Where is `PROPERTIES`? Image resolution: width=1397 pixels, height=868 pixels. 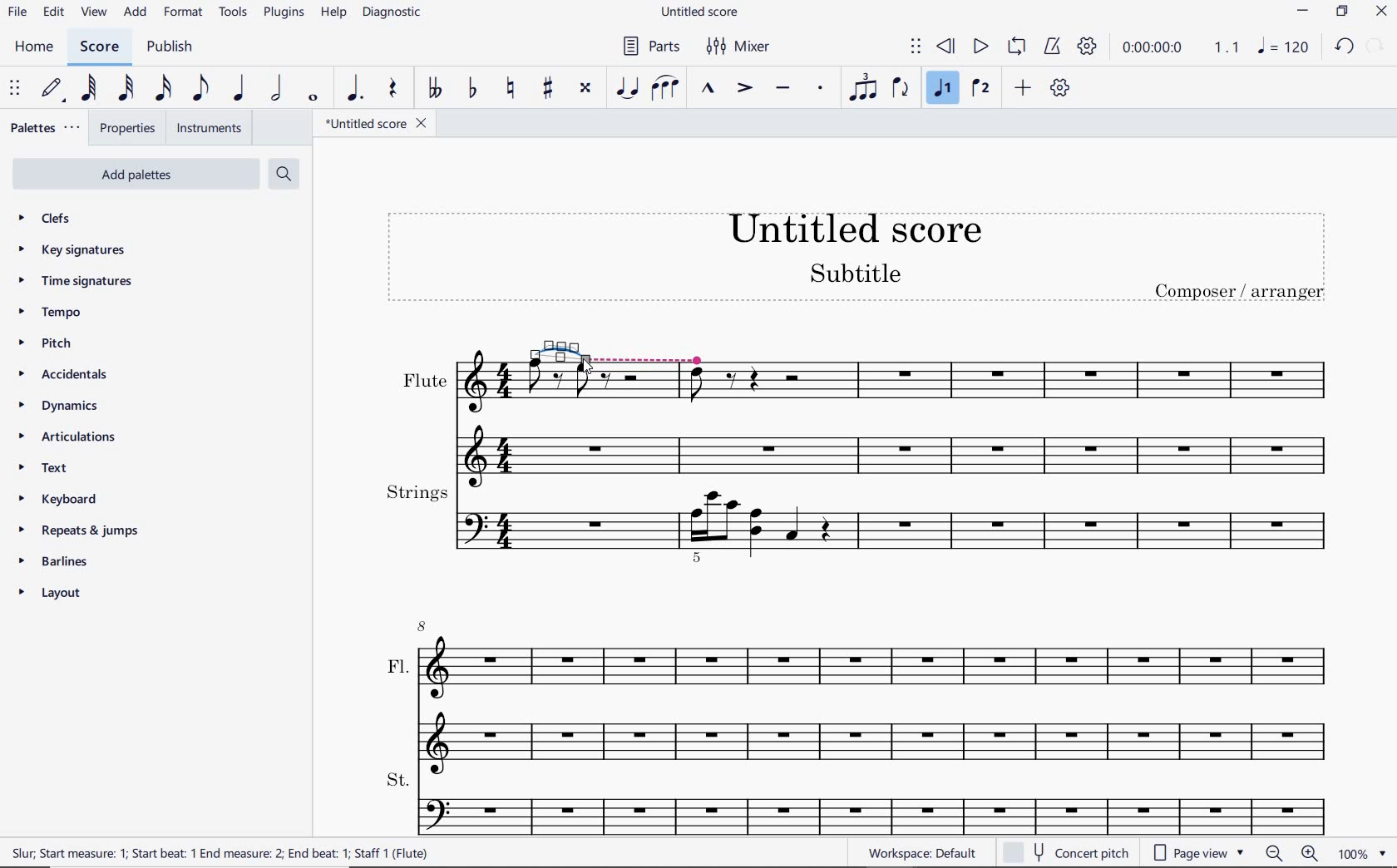 PROPERTIES is located at coordinates (130, 128).